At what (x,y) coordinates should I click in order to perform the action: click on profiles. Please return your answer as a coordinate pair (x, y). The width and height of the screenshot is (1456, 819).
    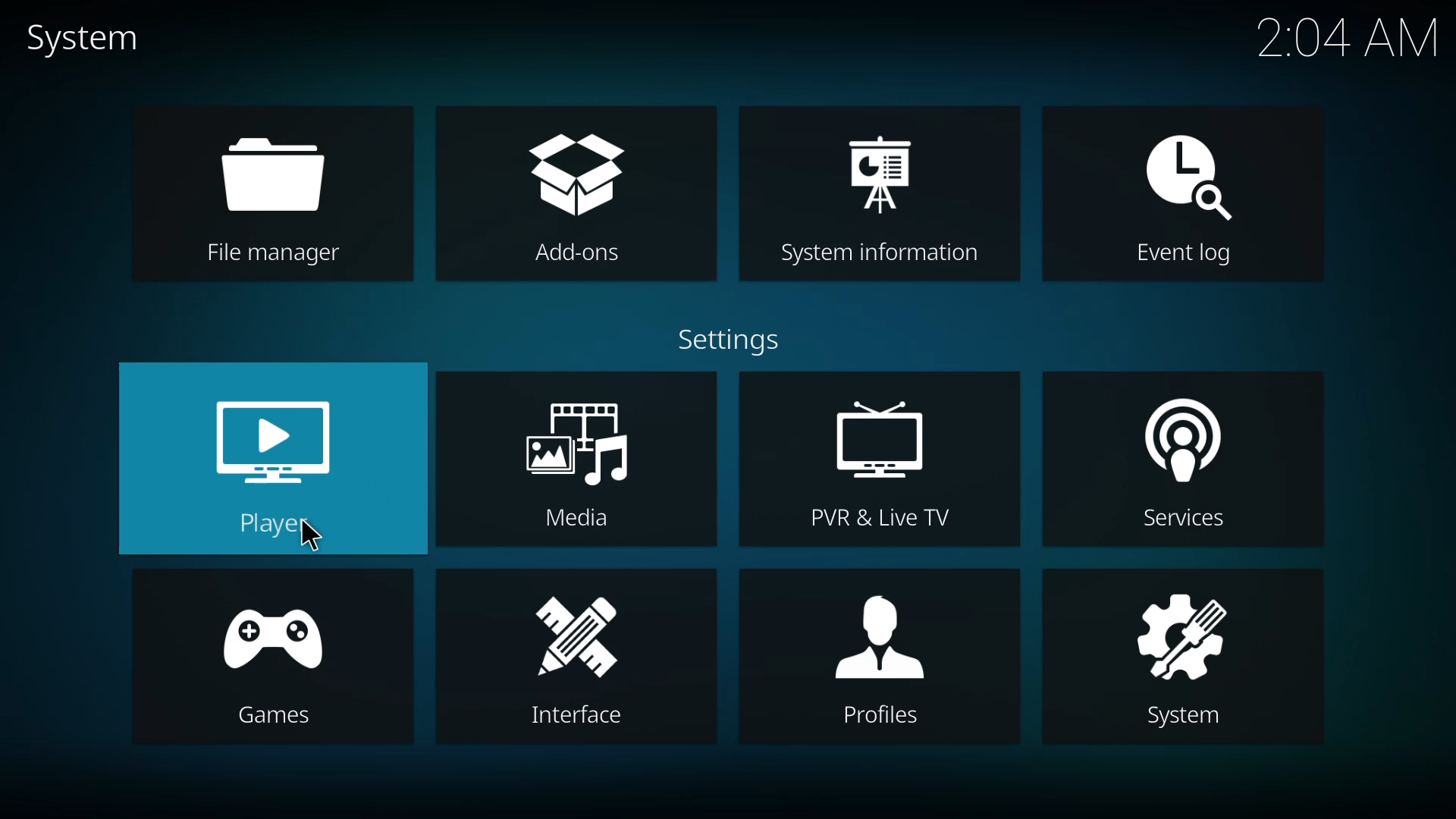
    Looking at the image, I should click on (880, 659).